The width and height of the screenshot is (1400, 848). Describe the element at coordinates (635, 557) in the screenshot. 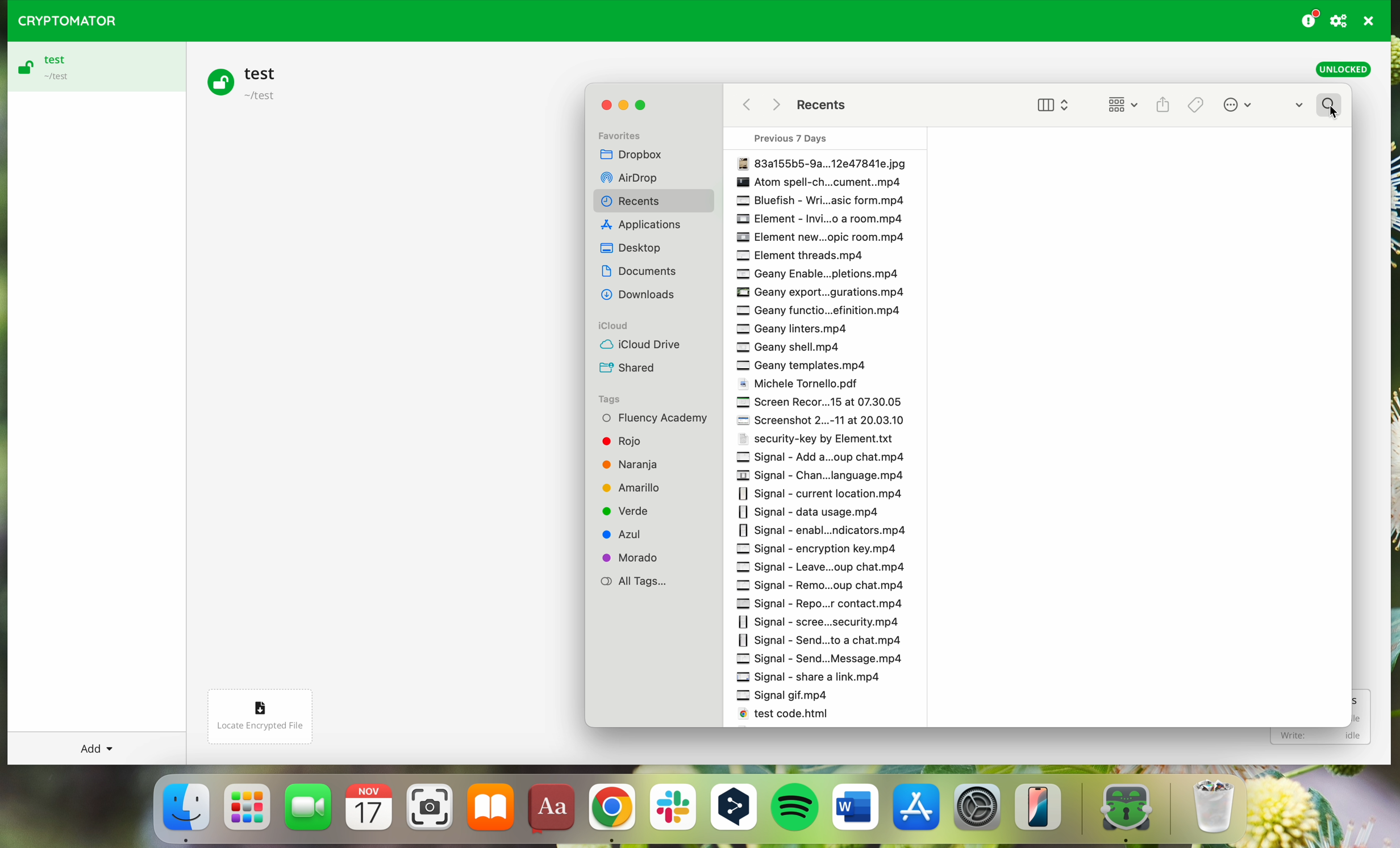

I see `Morado` at that location.